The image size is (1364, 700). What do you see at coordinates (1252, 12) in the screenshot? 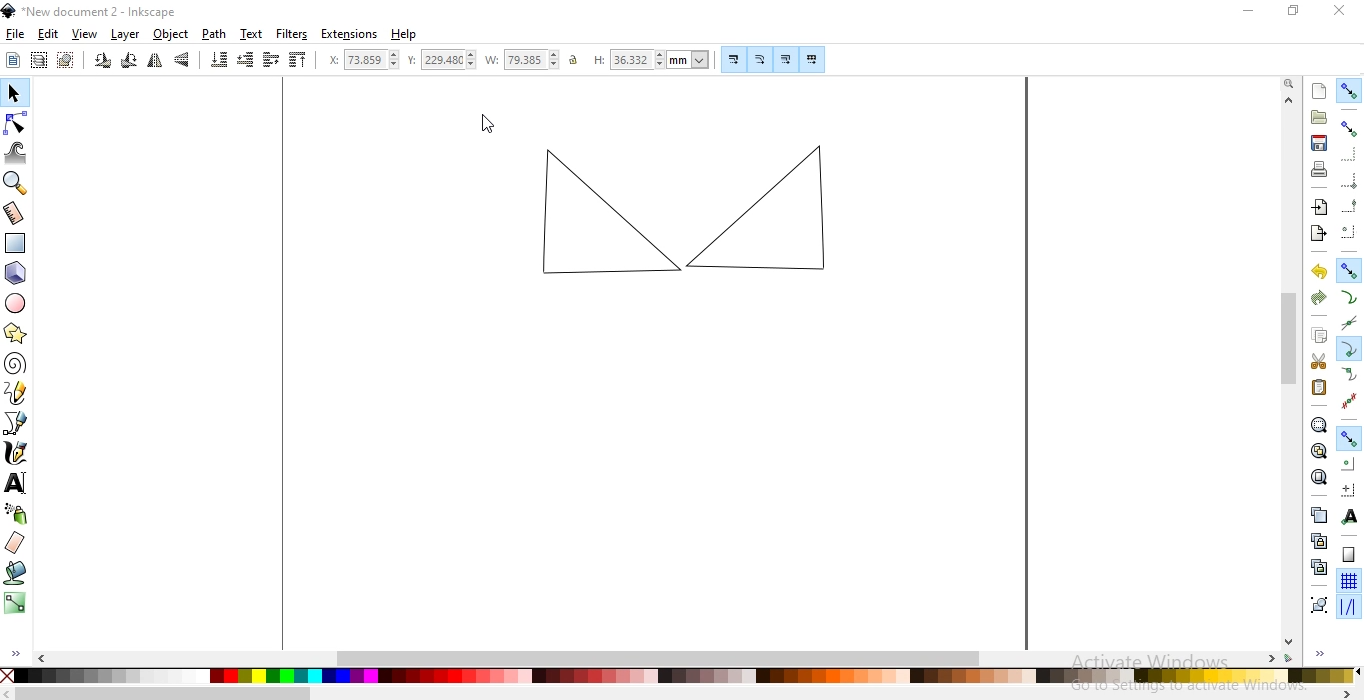
I see `minimize` at bounding box center [1252, 12].